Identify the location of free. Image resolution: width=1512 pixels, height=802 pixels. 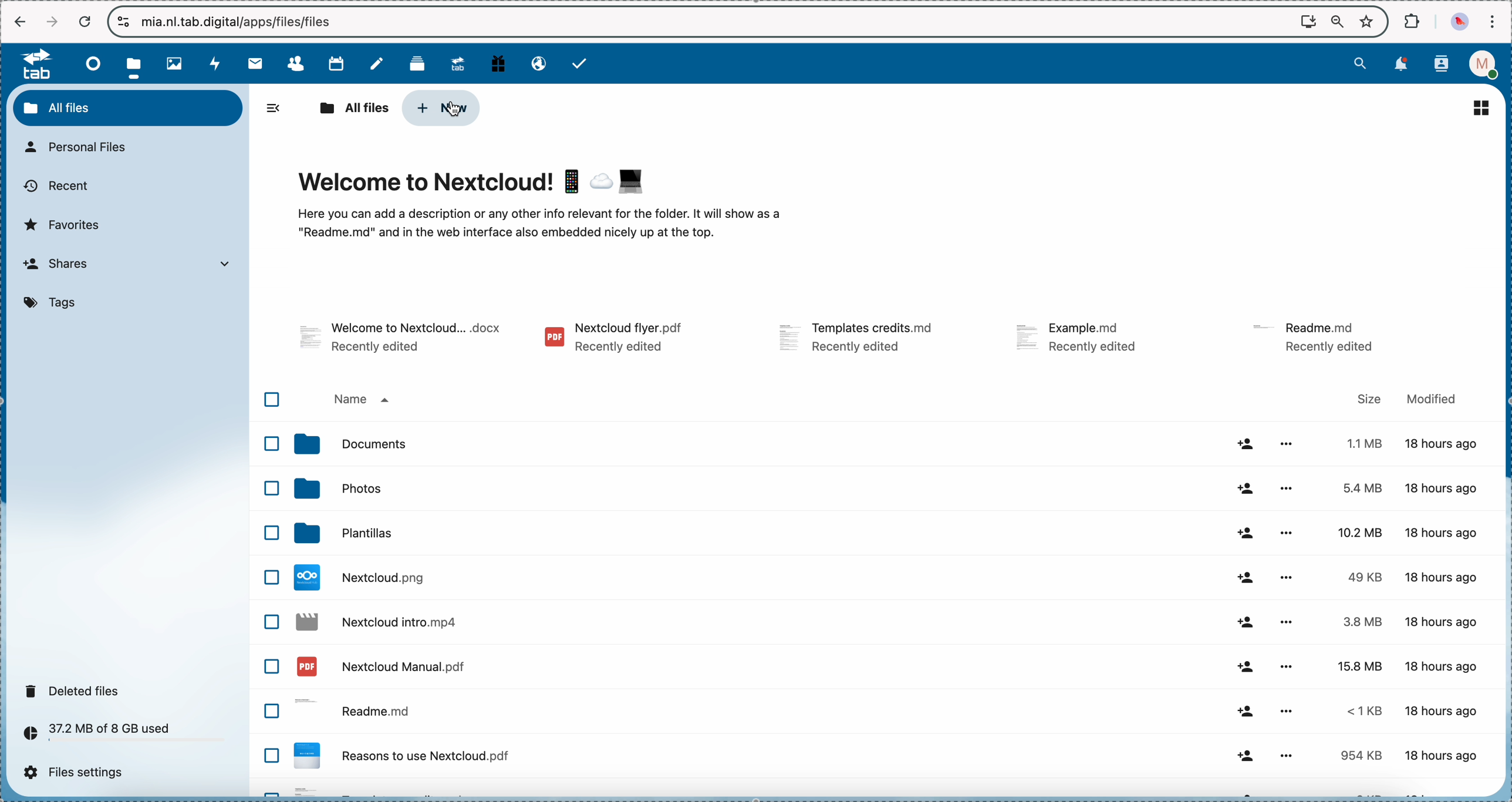
(498, 62).